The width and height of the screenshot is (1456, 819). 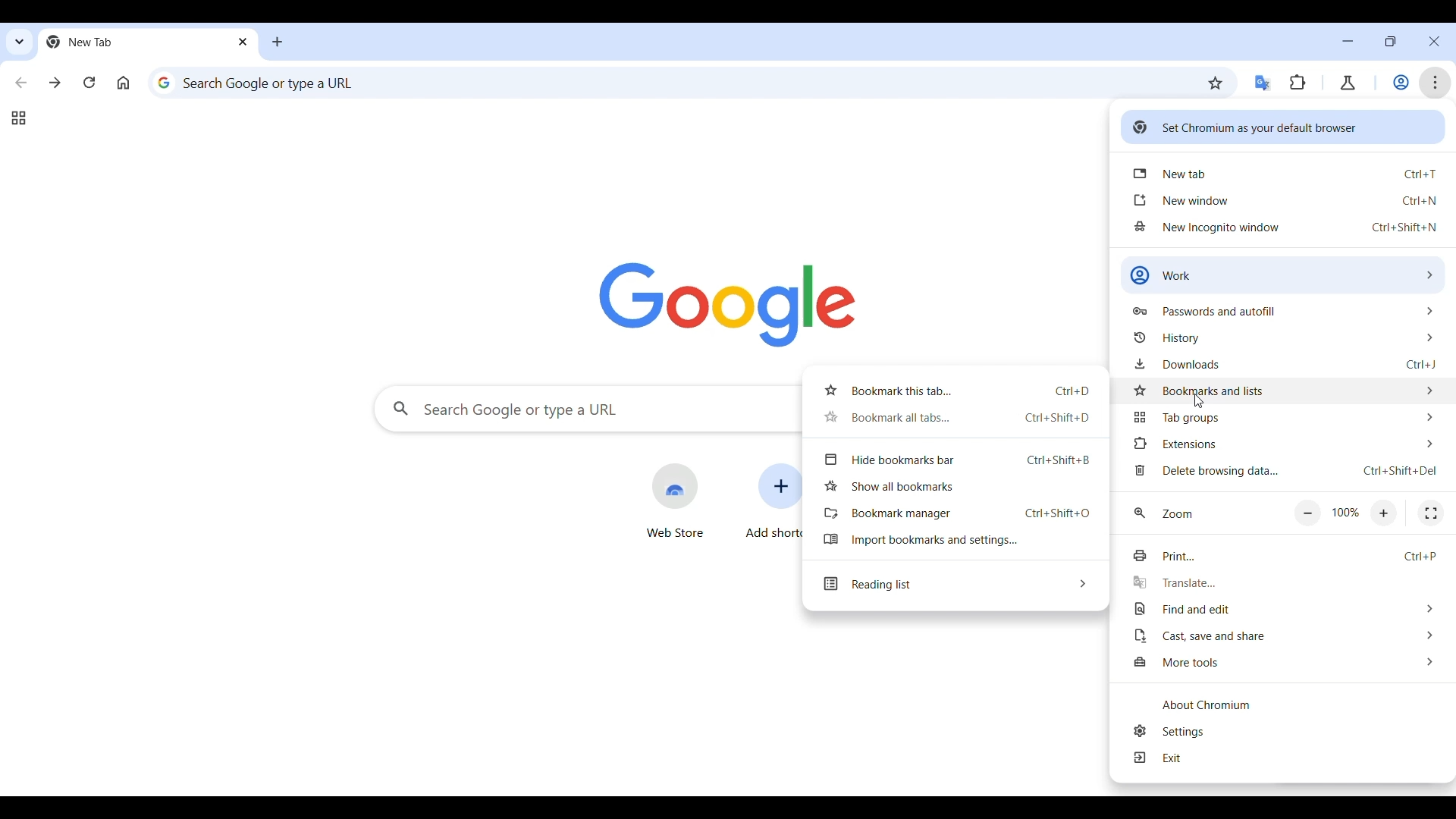 What do you see at coordinates (89, 82) in the screenshot?
I see `Reload page` at bounding box center [89, 82].